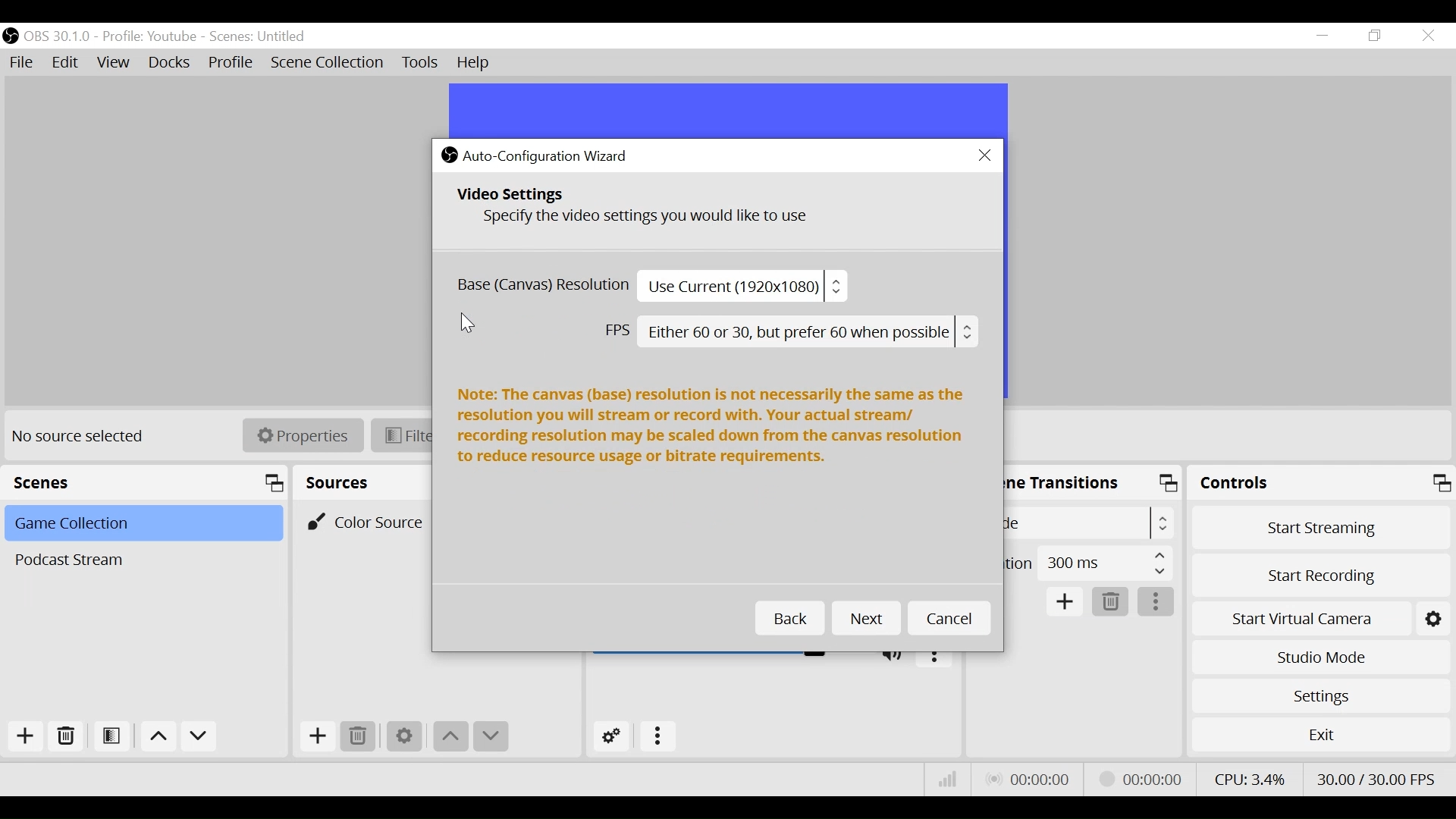 This screenshot has height=819, width=1456. Describe the element at coordinates (1030, 779) in the screenshot. I see `Live Status` at that location.